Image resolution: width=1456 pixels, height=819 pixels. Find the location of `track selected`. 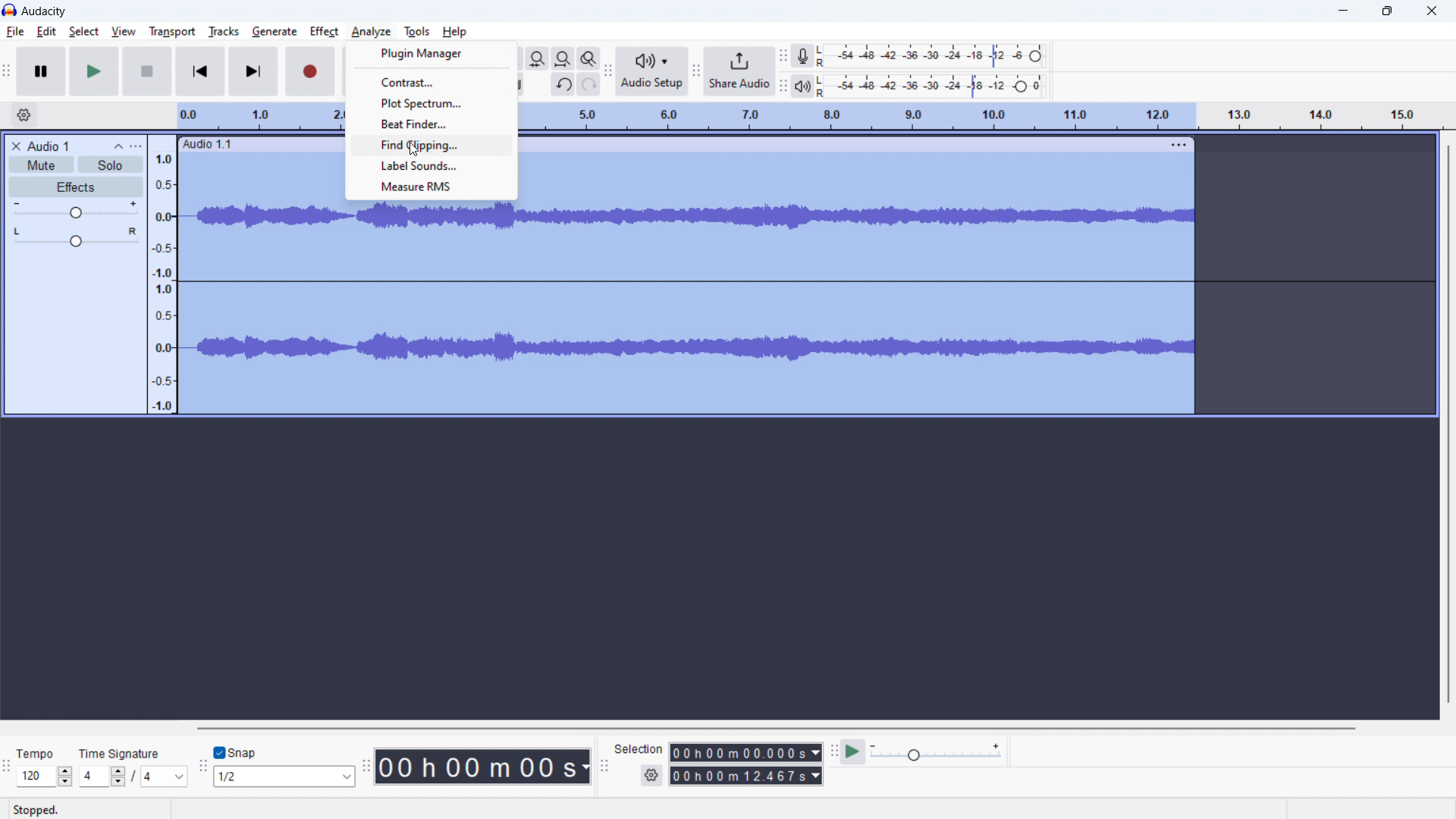

track selected is located at coordinates (855, 285).